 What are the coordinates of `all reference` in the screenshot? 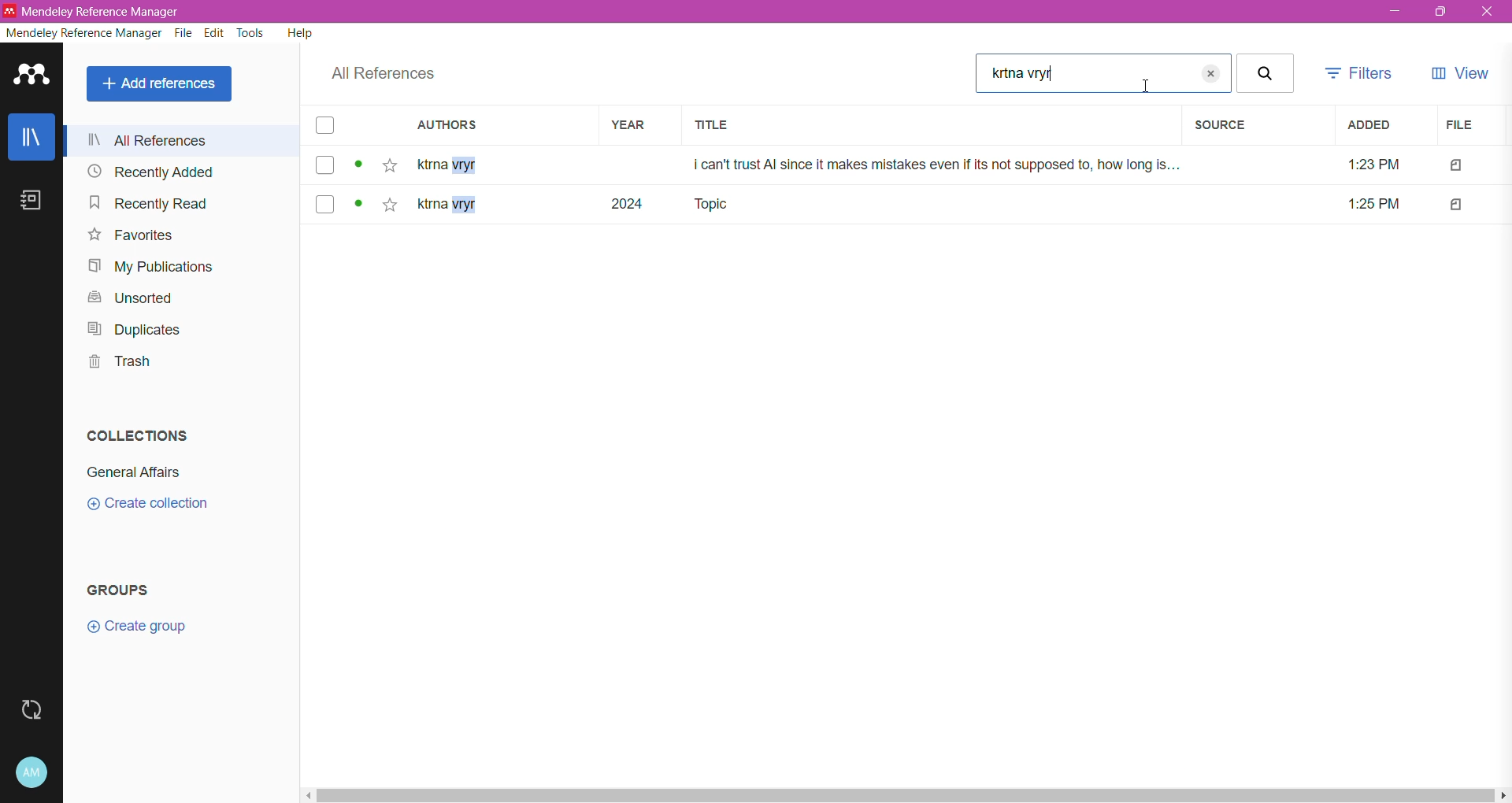 It's located at (175, 140).